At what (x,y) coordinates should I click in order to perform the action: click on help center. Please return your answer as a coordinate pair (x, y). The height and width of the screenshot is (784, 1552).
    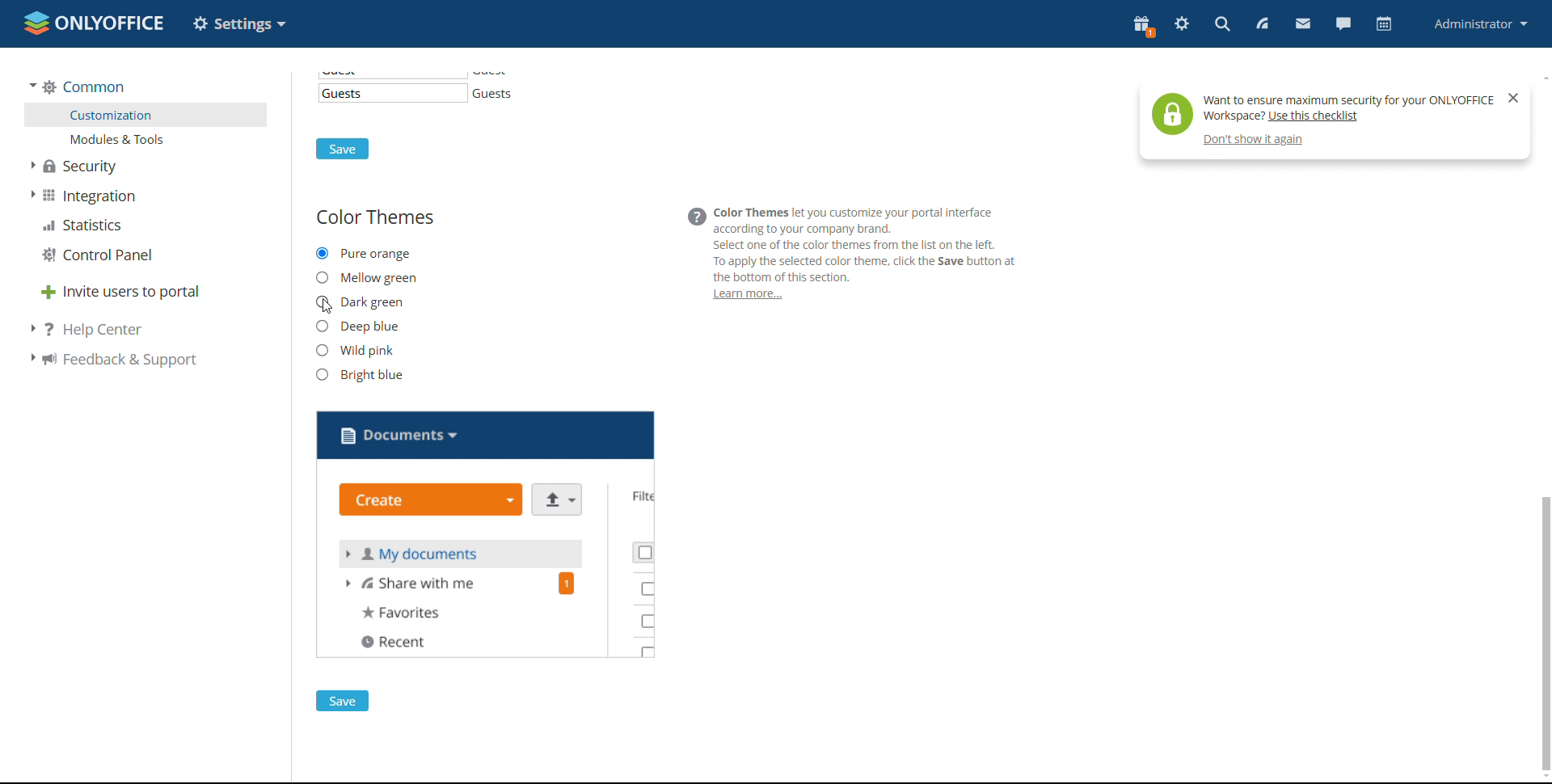
    Looking at the image, I should click on (86, 329).